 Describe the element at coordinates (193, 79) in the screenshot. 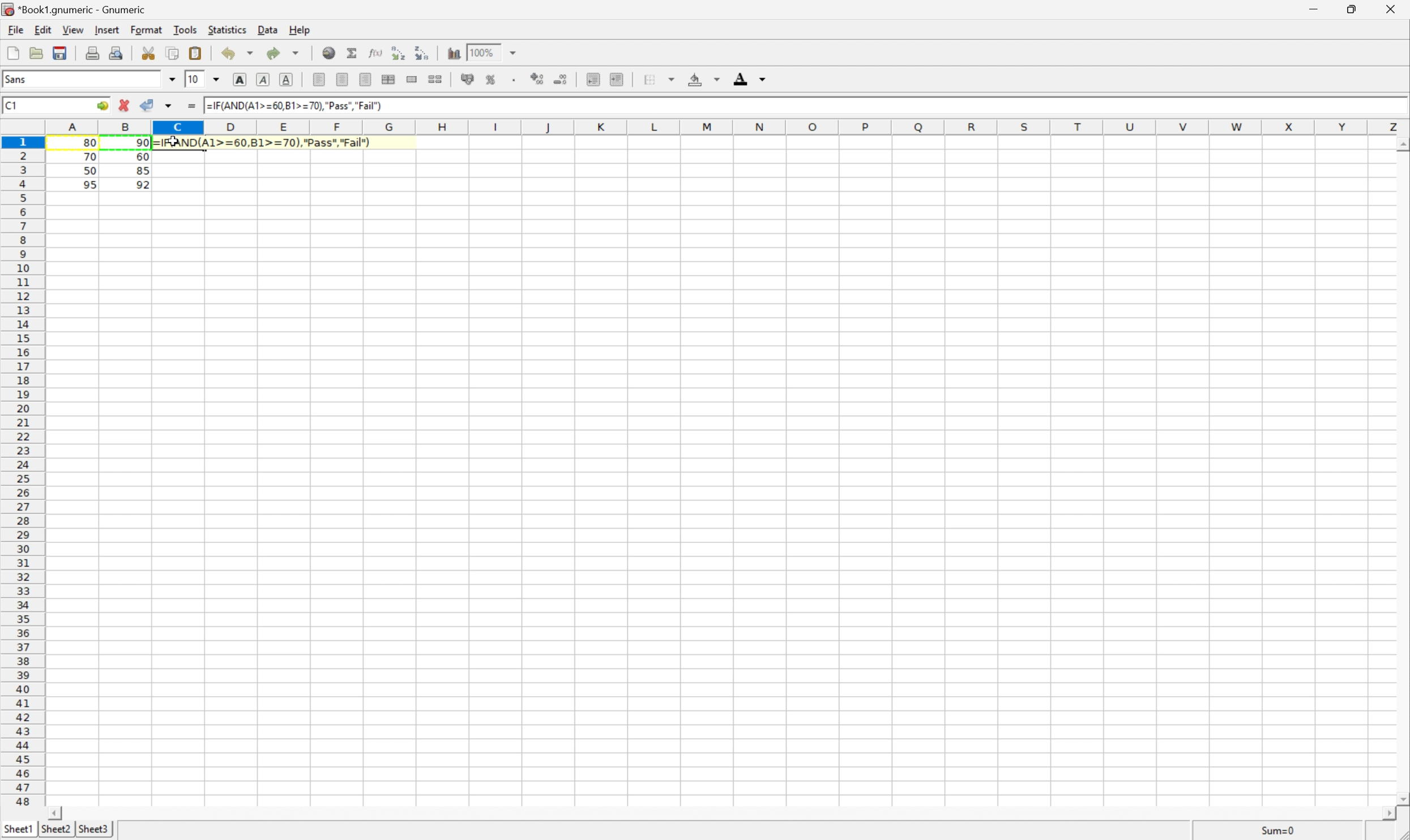

I see `10` at that location.